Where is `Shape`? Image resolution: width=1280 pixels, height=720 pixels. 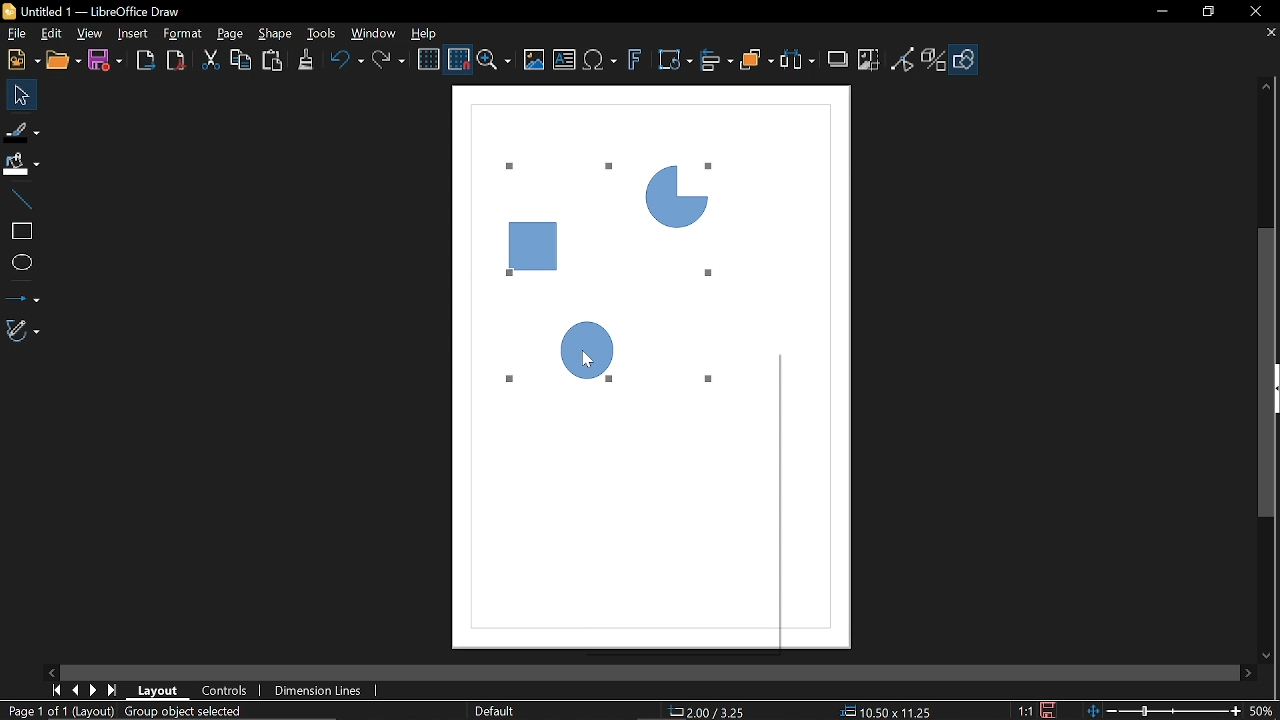 Shape is located at coordinates (274, 35).